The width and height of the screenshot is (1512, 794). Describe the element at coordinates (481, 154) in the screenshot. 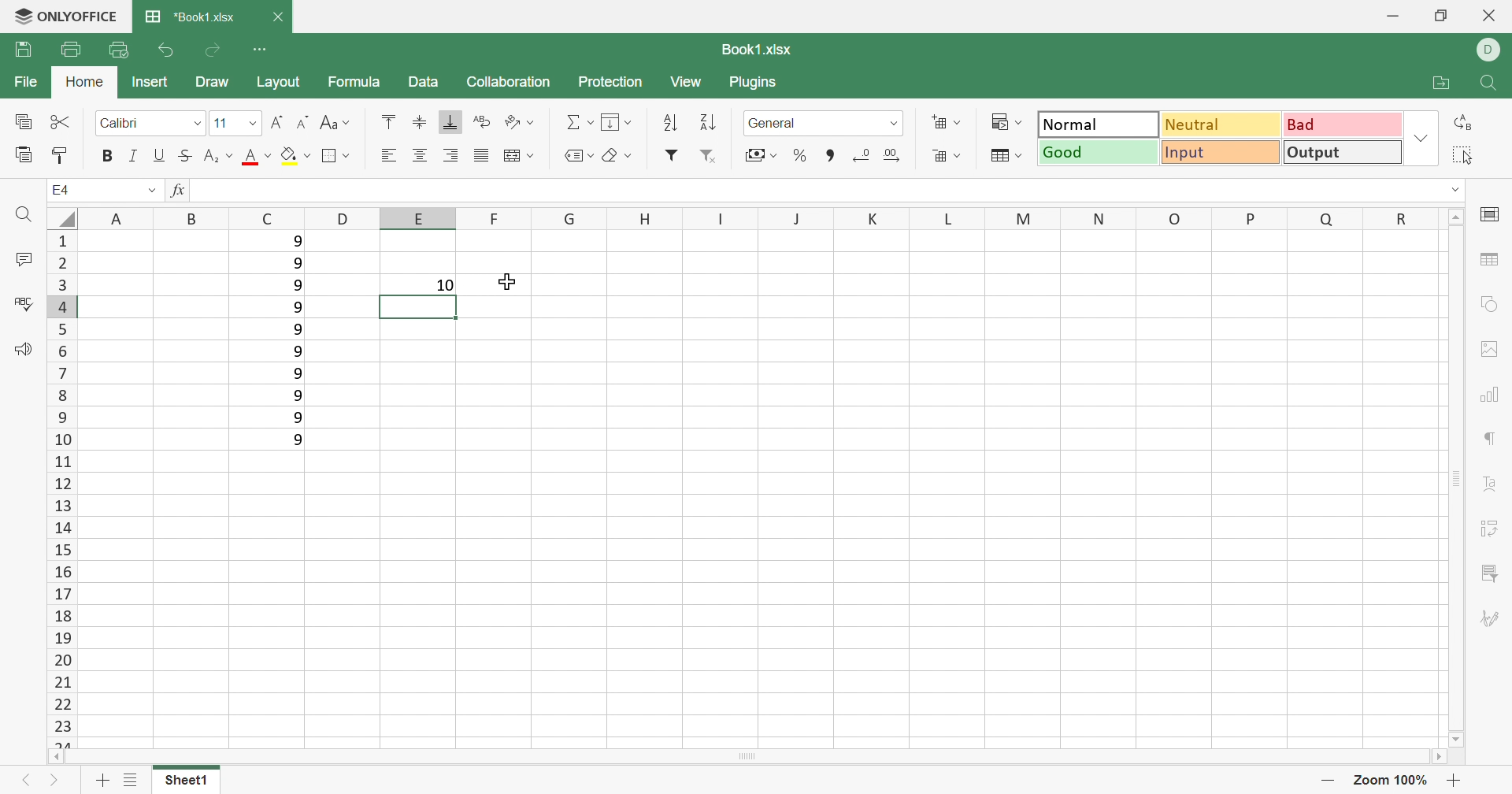

I see `Justified` at that location.